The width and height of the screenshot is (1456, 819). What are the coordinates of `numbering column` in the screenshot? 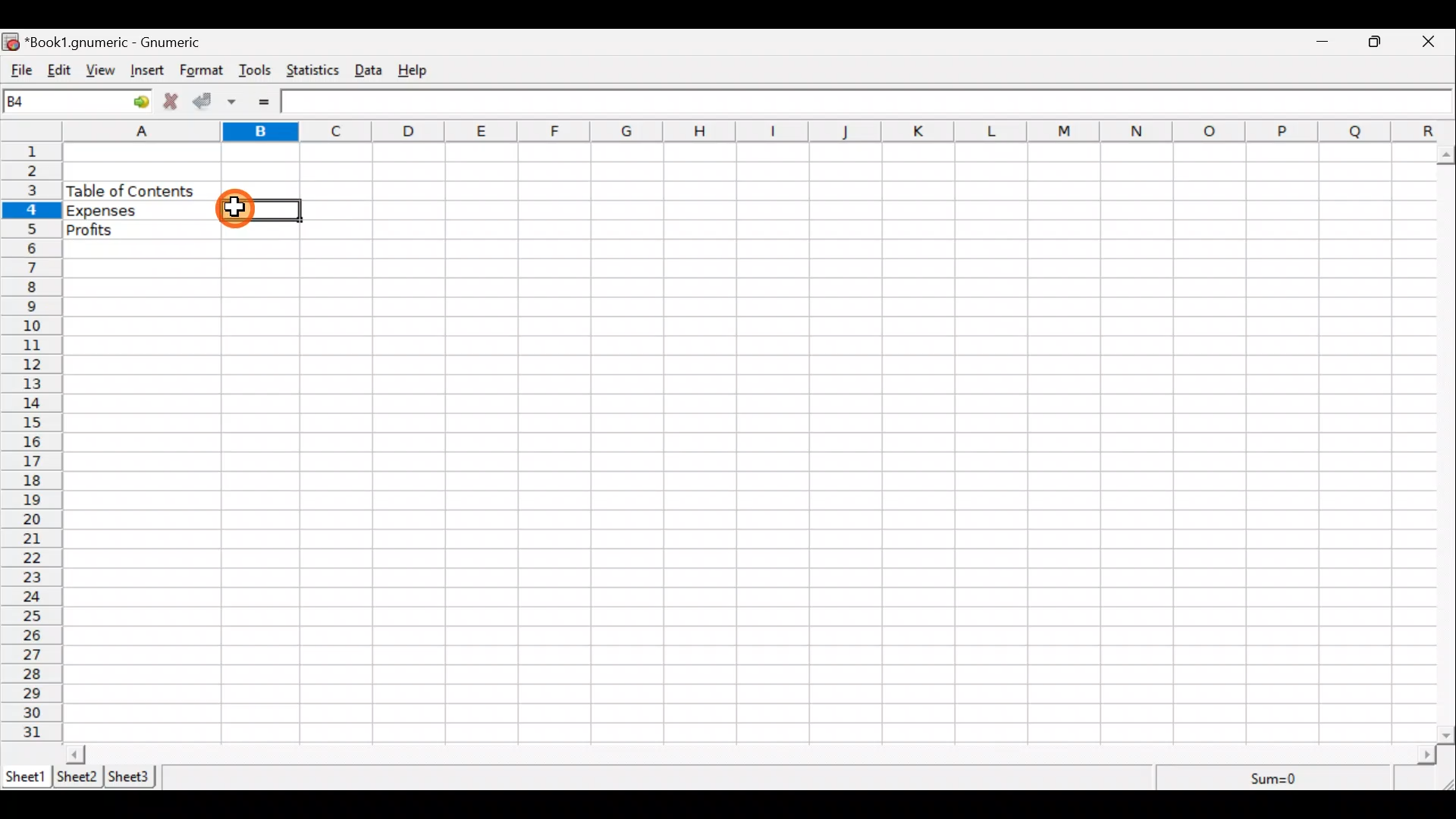 It's located at (30, 444).